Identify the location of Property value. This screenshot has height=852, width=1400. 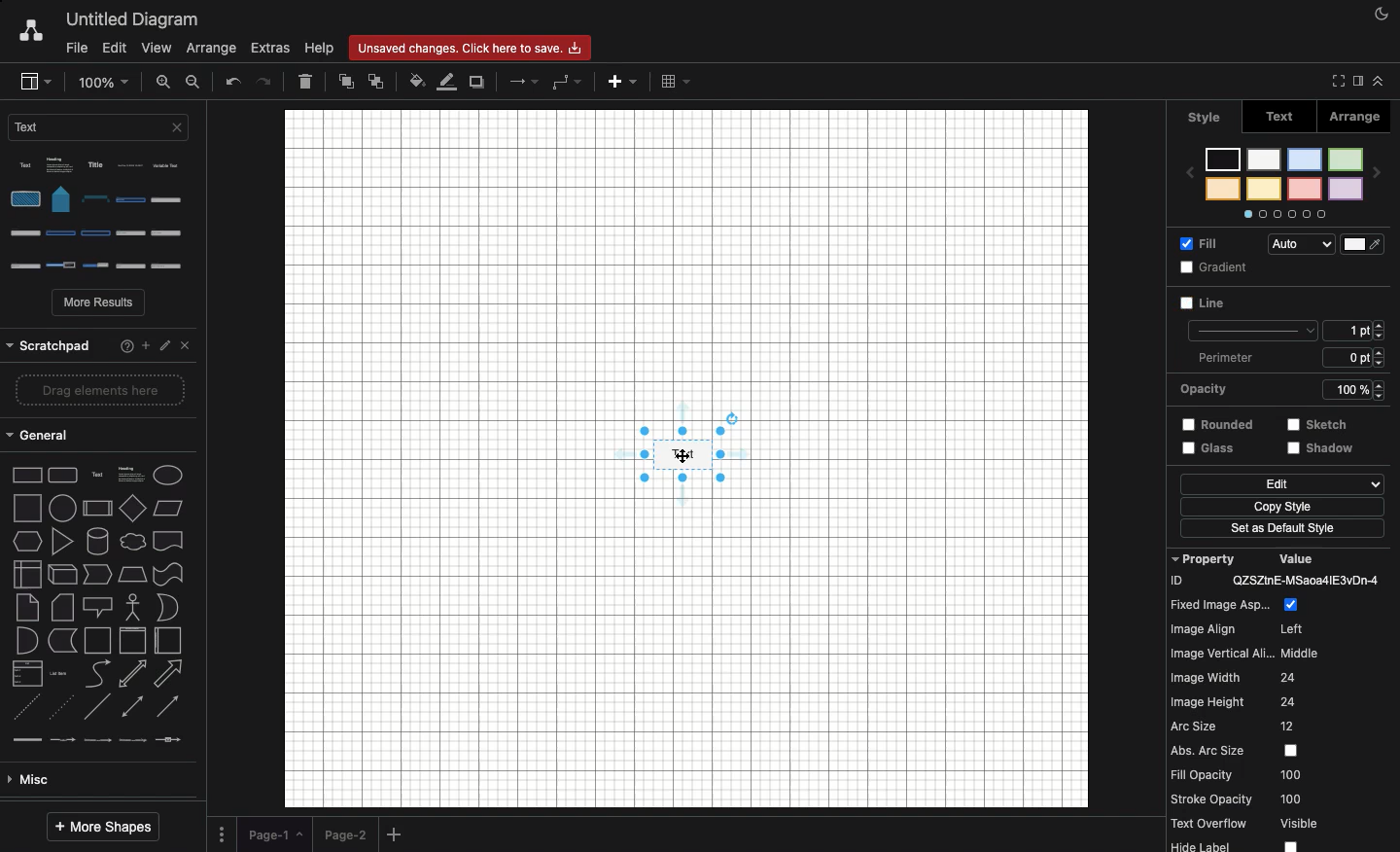
(1283, 697).